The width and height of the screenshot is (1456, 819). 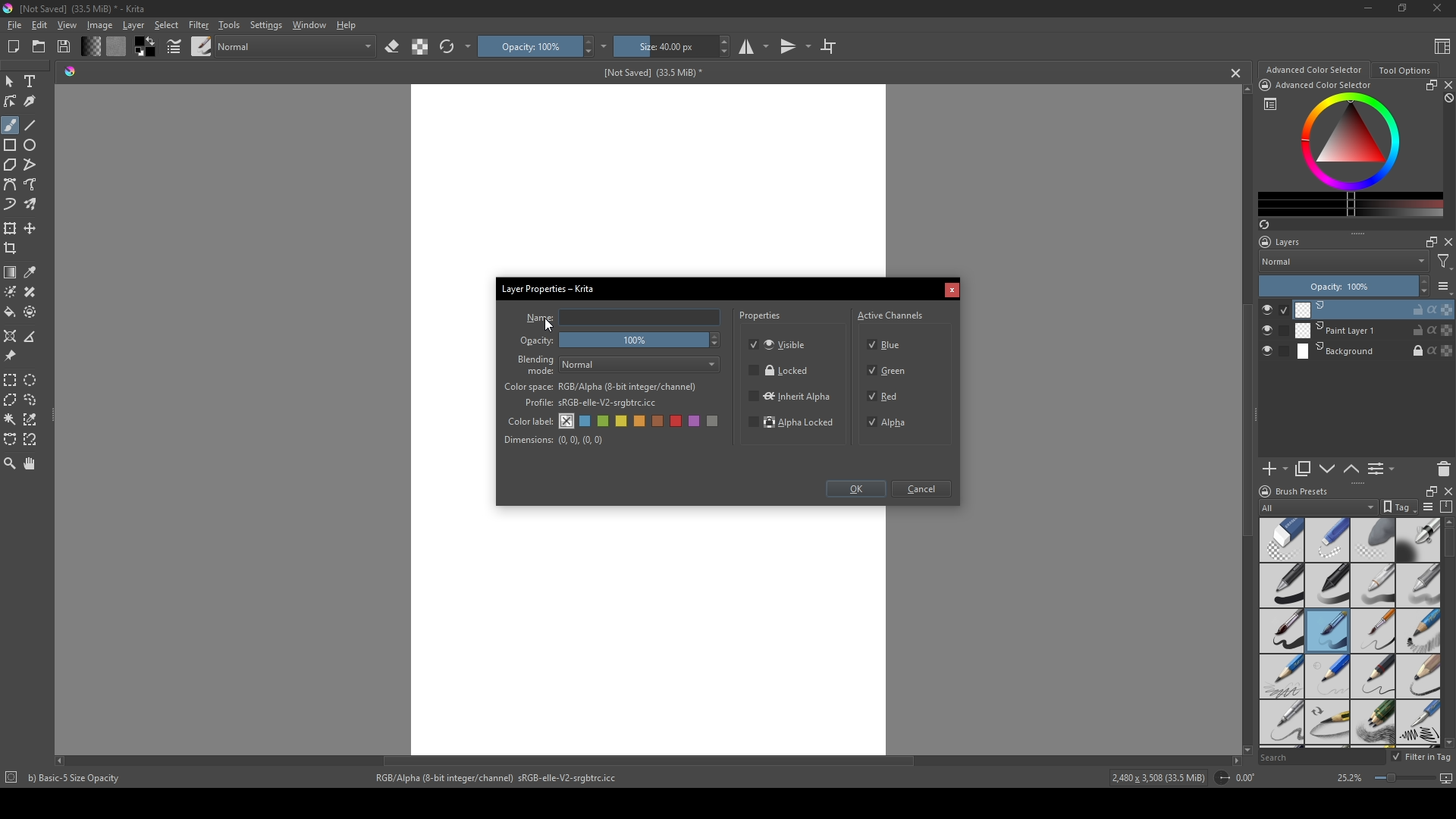 I want to click on [Not Saved] (33.5 MiB) - Krita, so click(x=83, y=9).